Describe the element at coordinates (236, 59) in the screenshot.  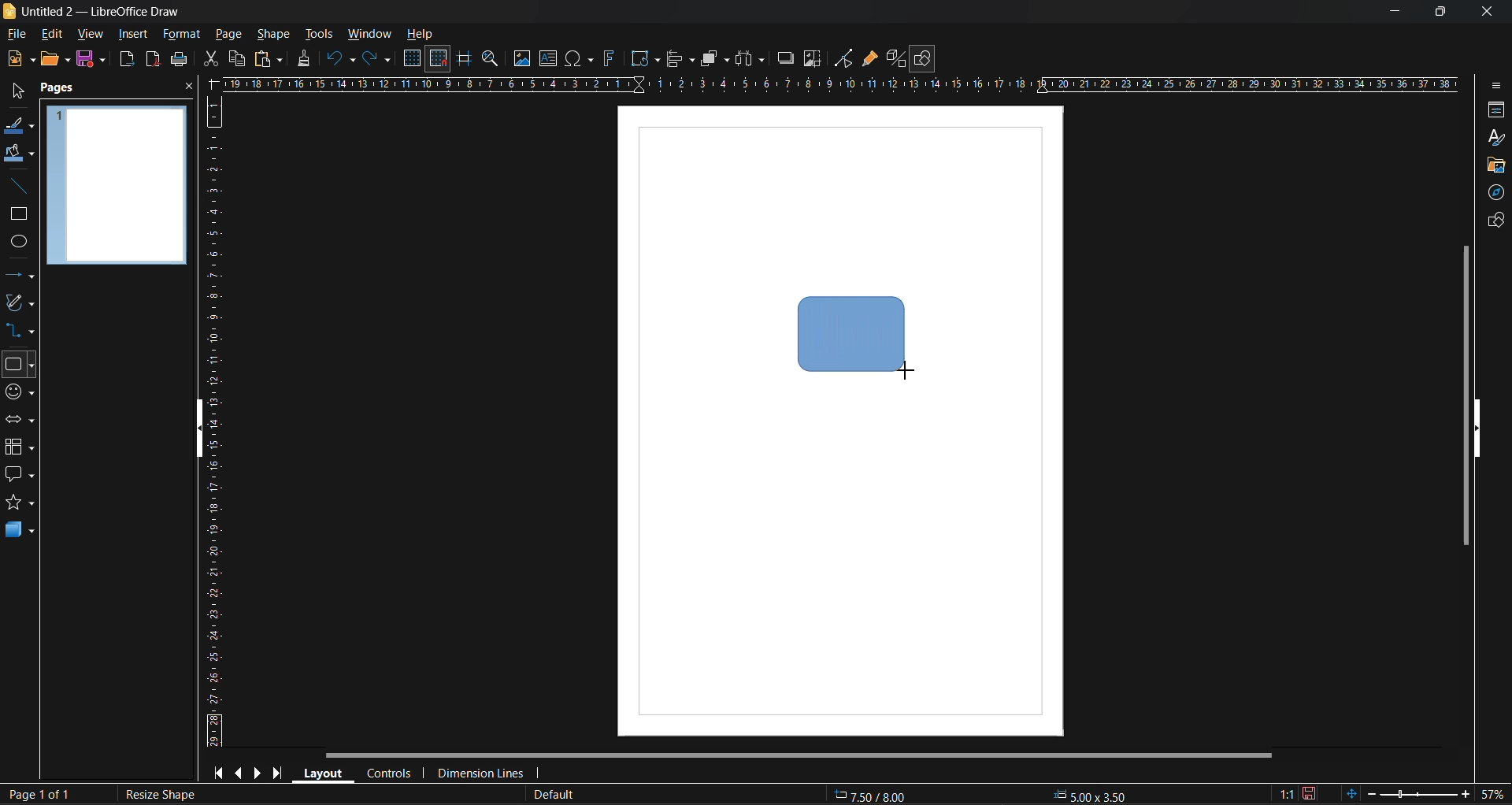
I see `copy` at that location.